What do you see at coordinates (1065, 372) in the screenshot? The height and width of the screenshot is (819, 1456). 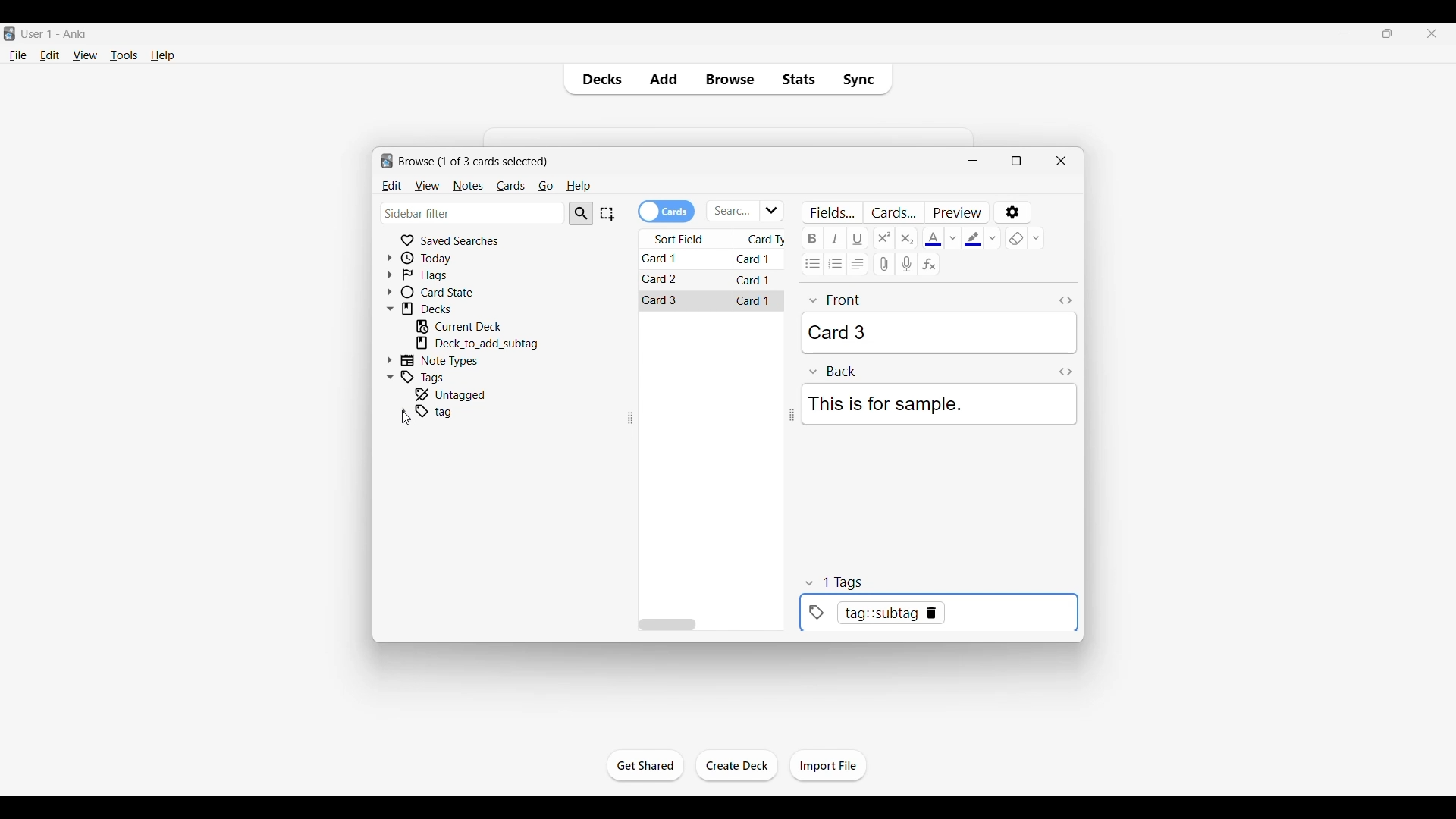 I see `Toggle HTML editor` at bounding box center [1065, 372].